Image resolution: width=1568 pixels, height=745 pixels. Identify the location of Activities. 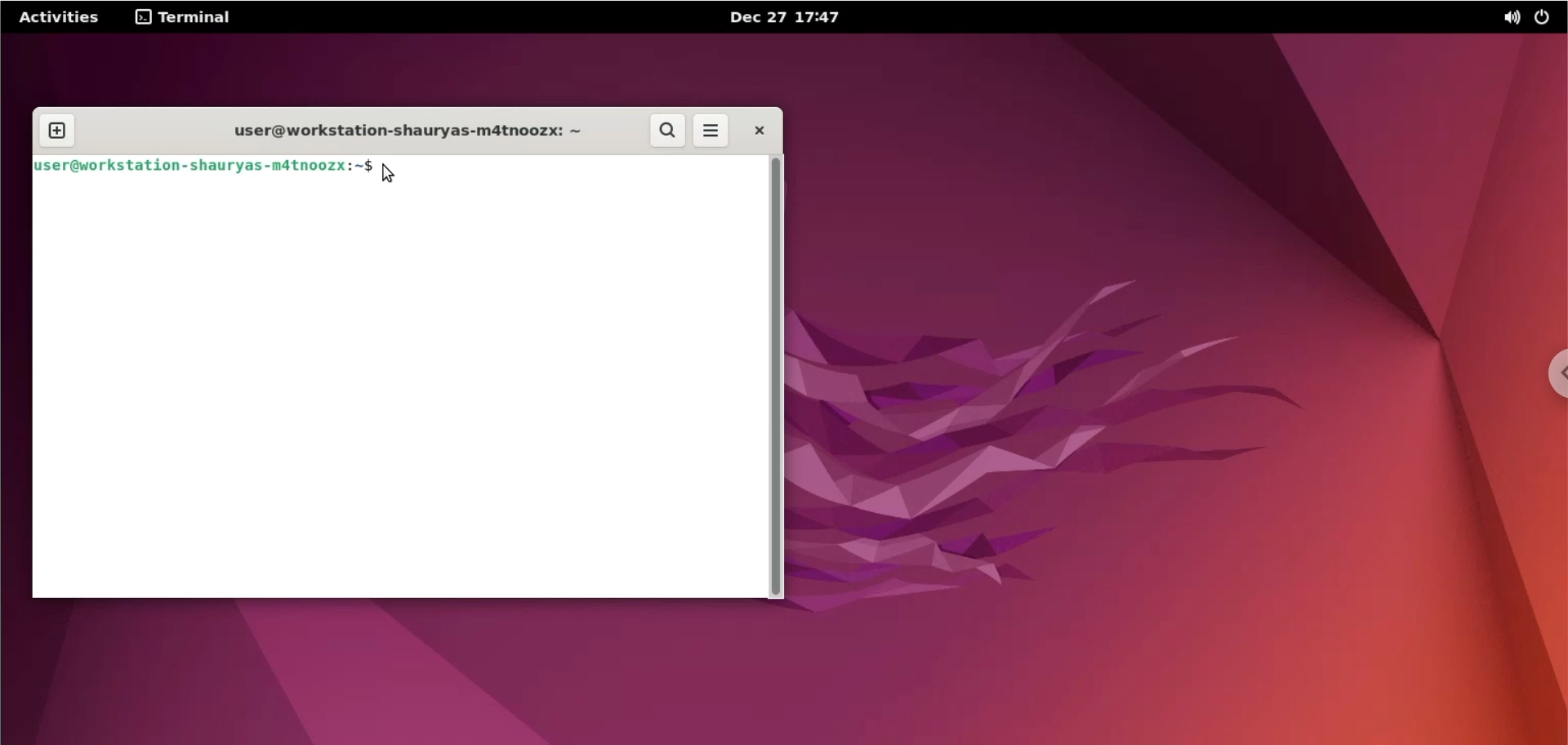
(58, 16).